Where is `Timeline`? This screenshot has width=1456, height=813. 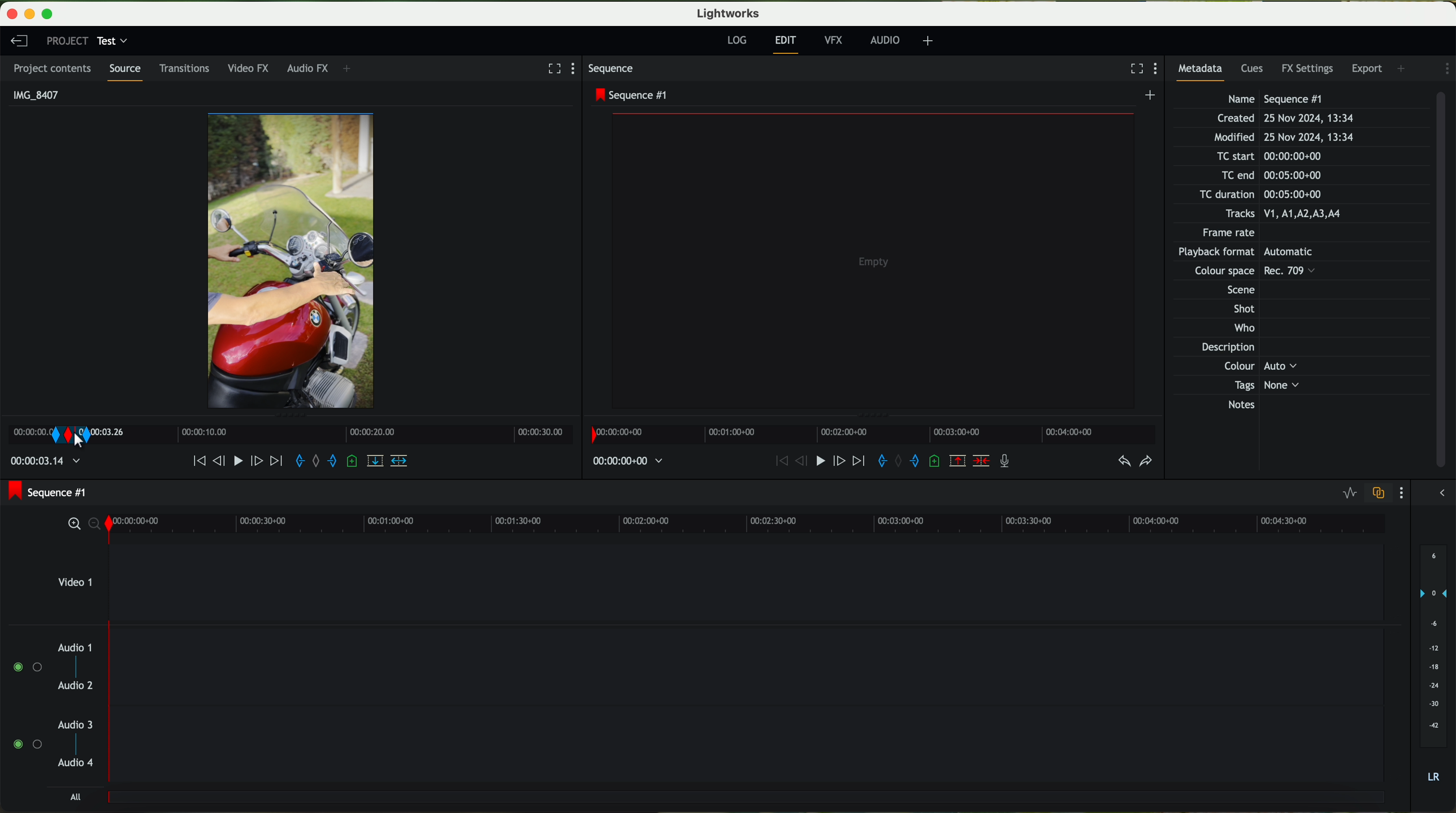
Timeline is located at coordinates (349, 433).